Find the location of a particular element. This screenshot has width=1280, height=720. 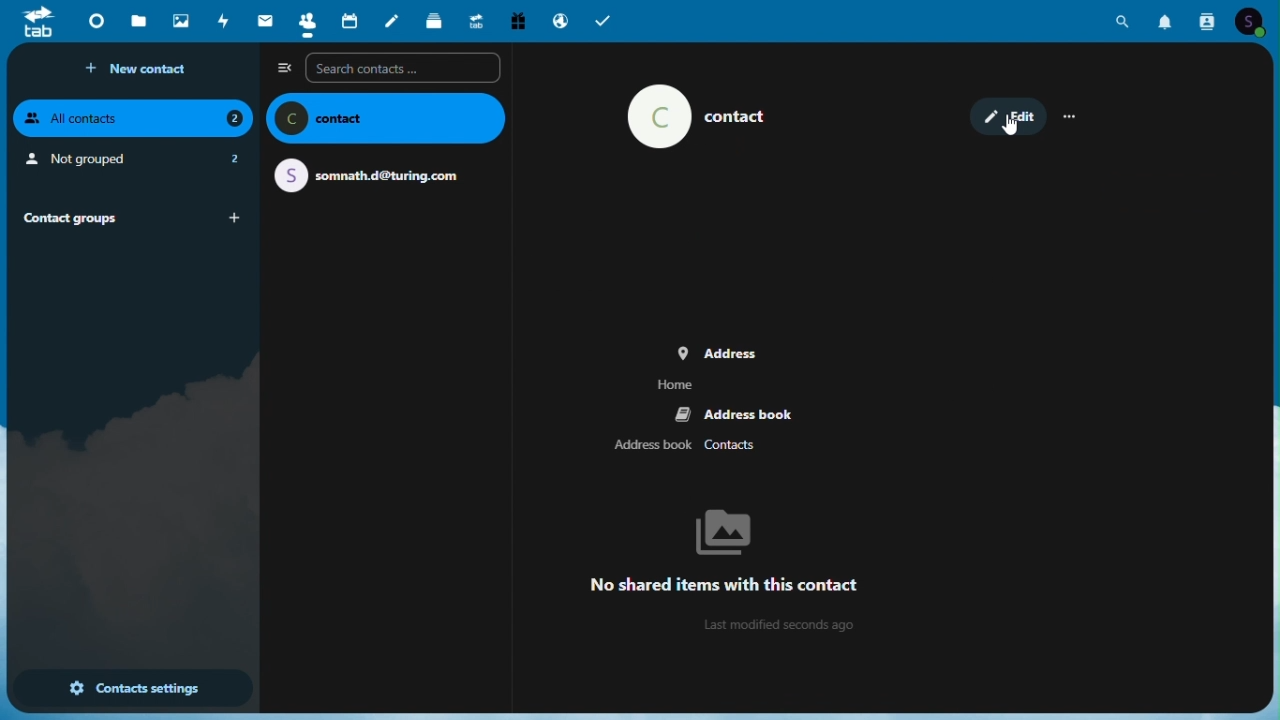

address is located at coordinates (728, 351).